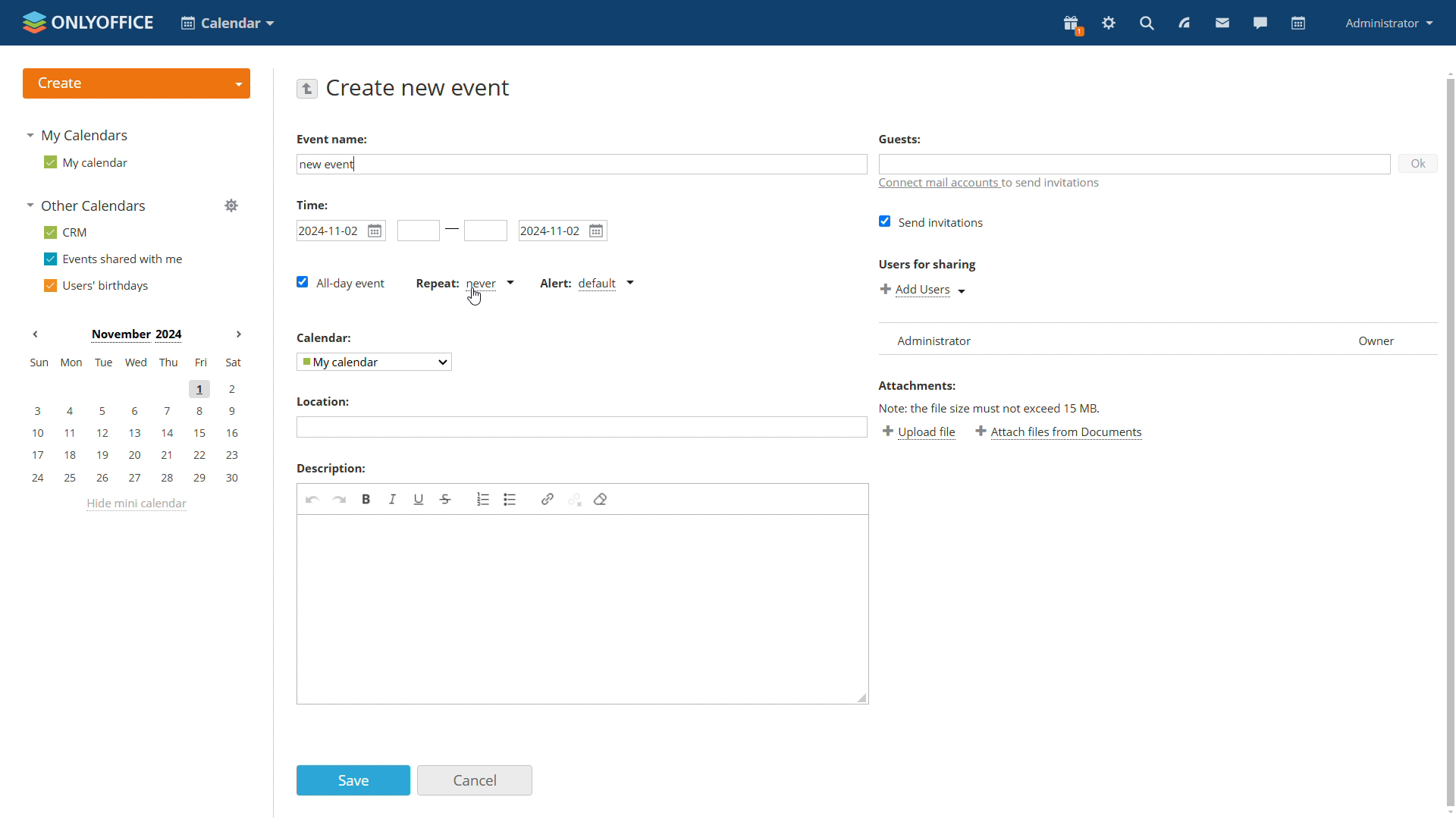  Describe the element at coordinates (325, 337) in the screenshot. I see `Calendar` at that location.